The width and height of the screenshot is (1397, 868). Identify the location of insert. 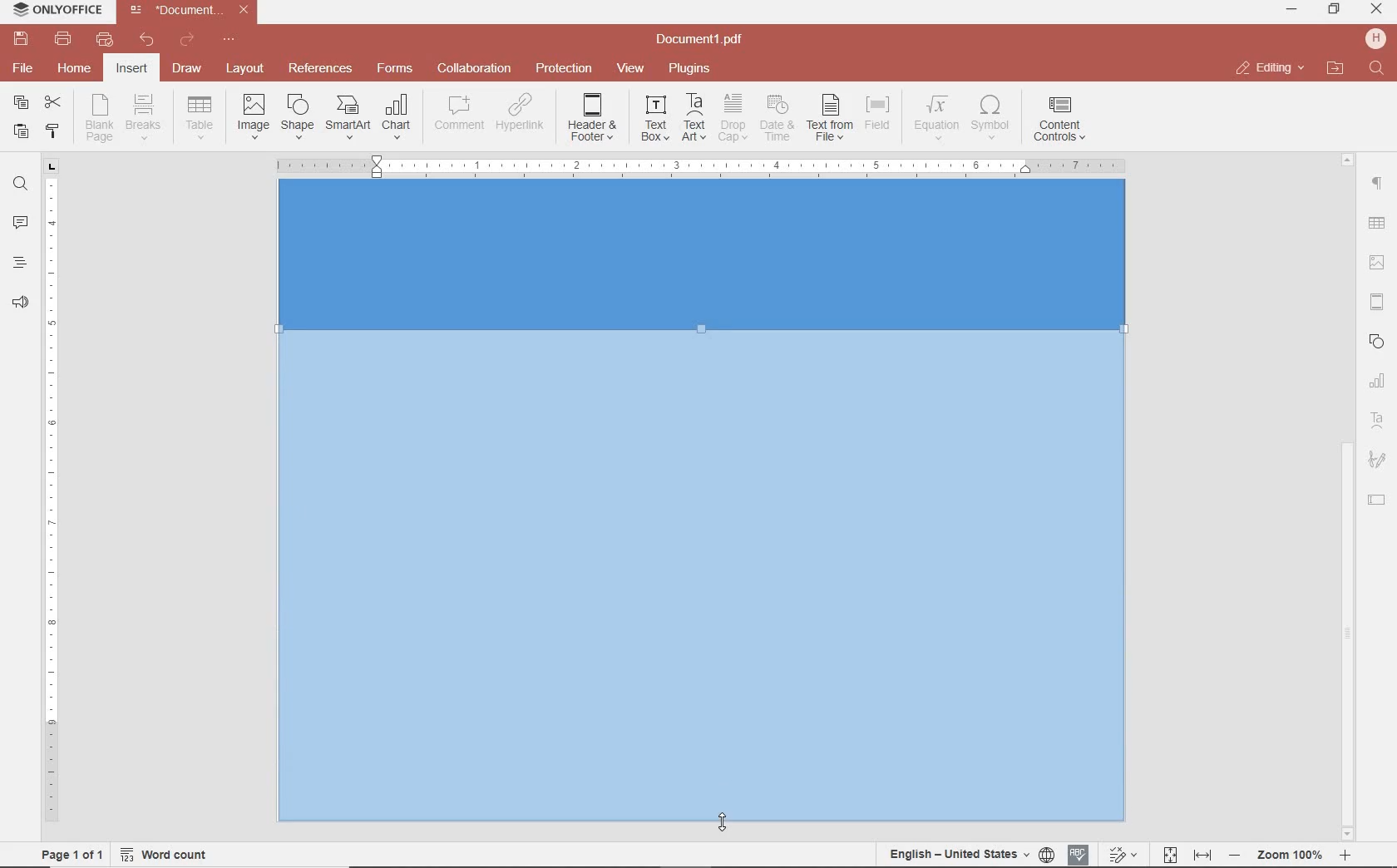
(131, 70).